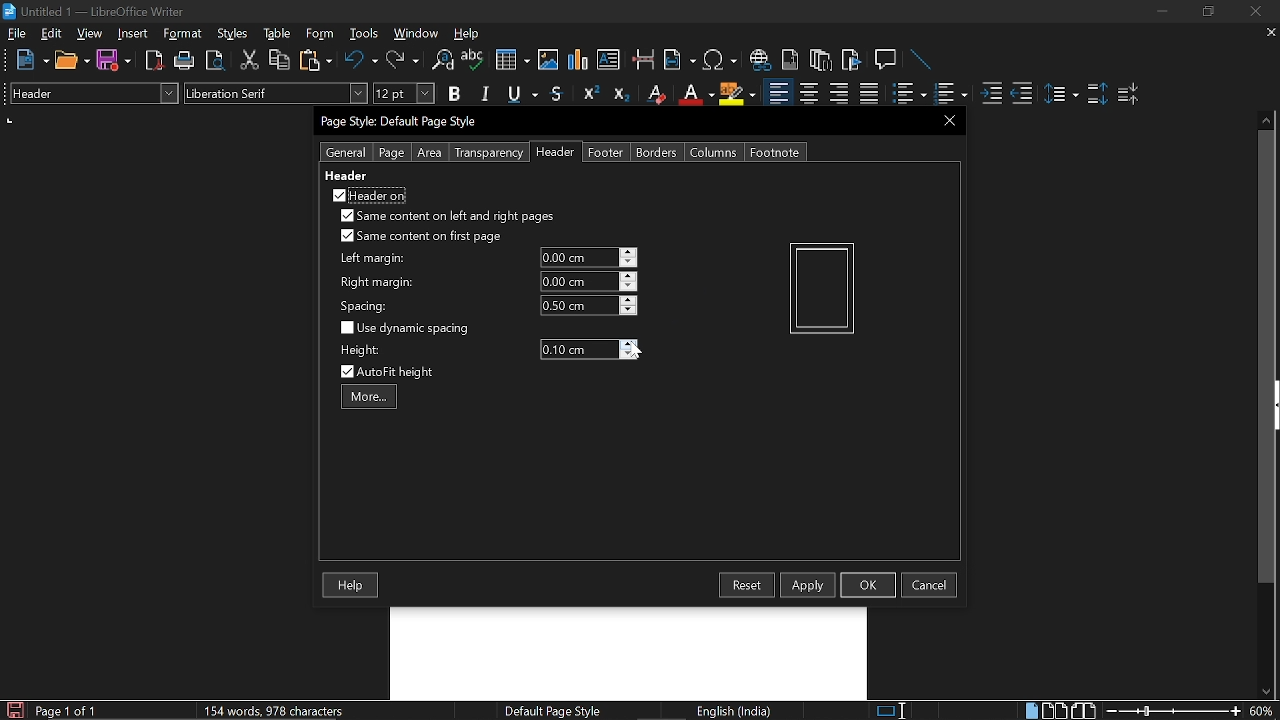 This screenshot has width=1280, height=720. Describe the element at coordinates (552, 153) in the screenshot. I see `Header` at that location.